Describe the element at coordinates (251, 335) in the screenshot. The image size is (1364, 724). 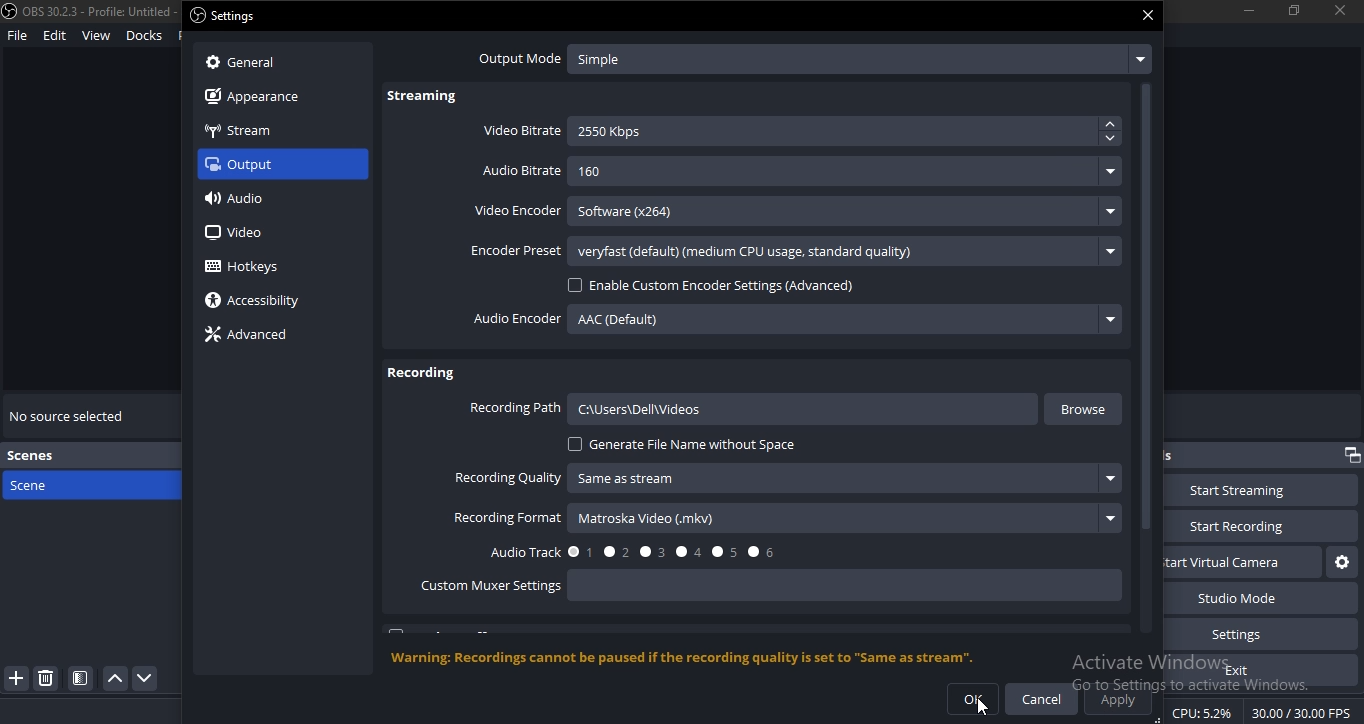
I see `advanced` at that location.